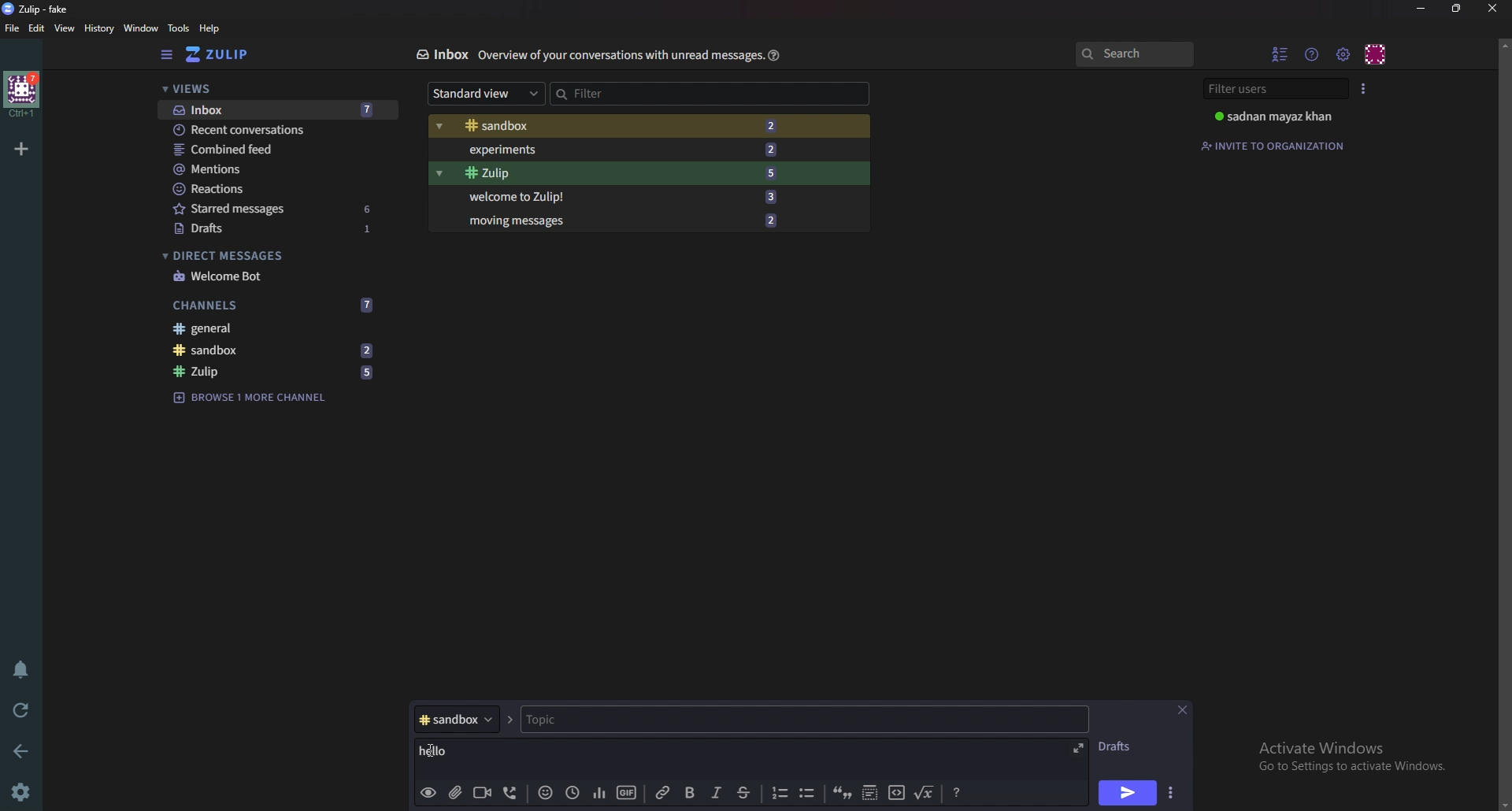 The image size is (1512, 811). Describe the element at coordinates (368, 371) in the screenshot. I see `5` at that location.